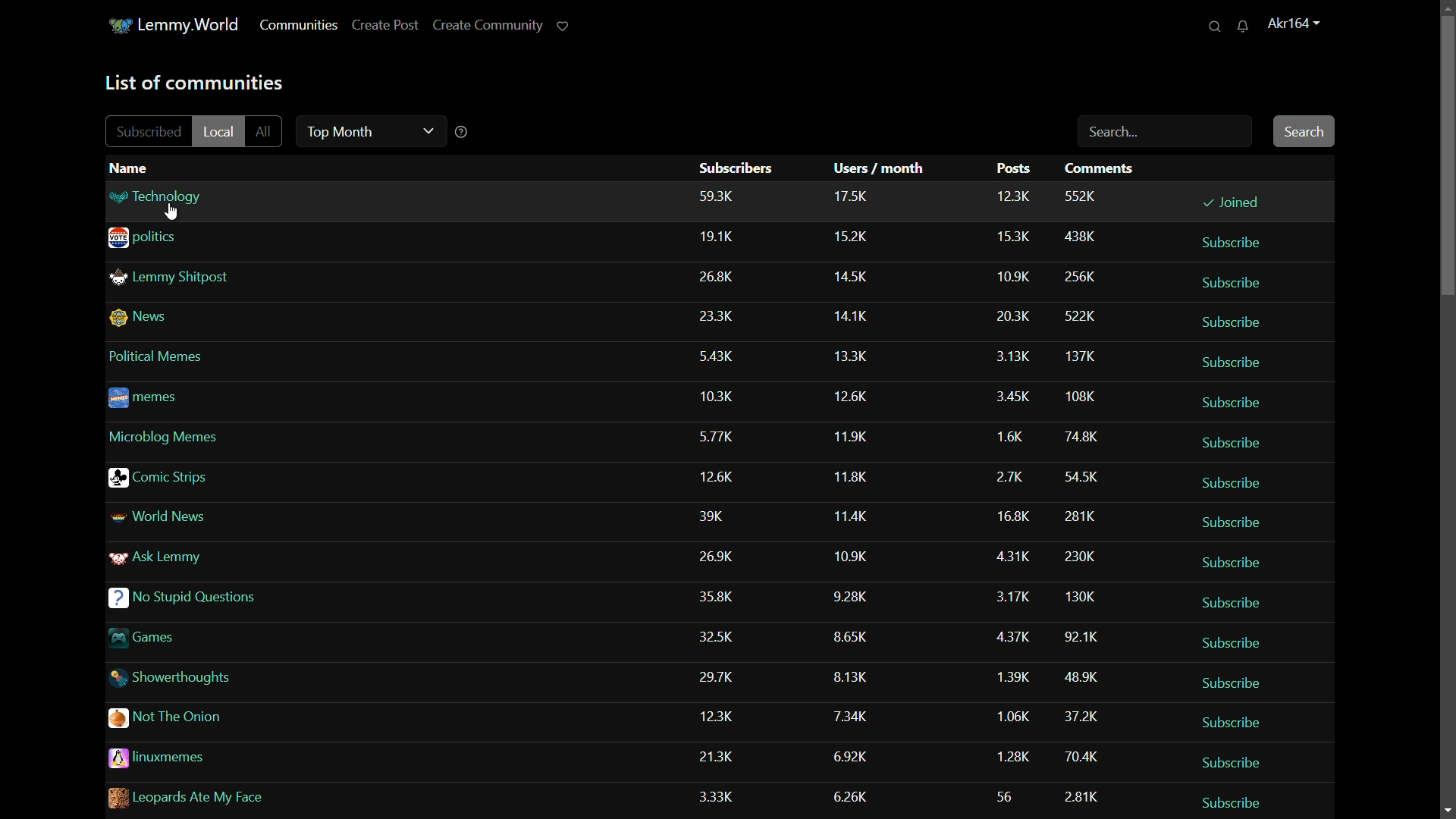  What do you see at coordinates (159, 394) in the screenshot?
I see `communities name` at bounding box center [159, 394].